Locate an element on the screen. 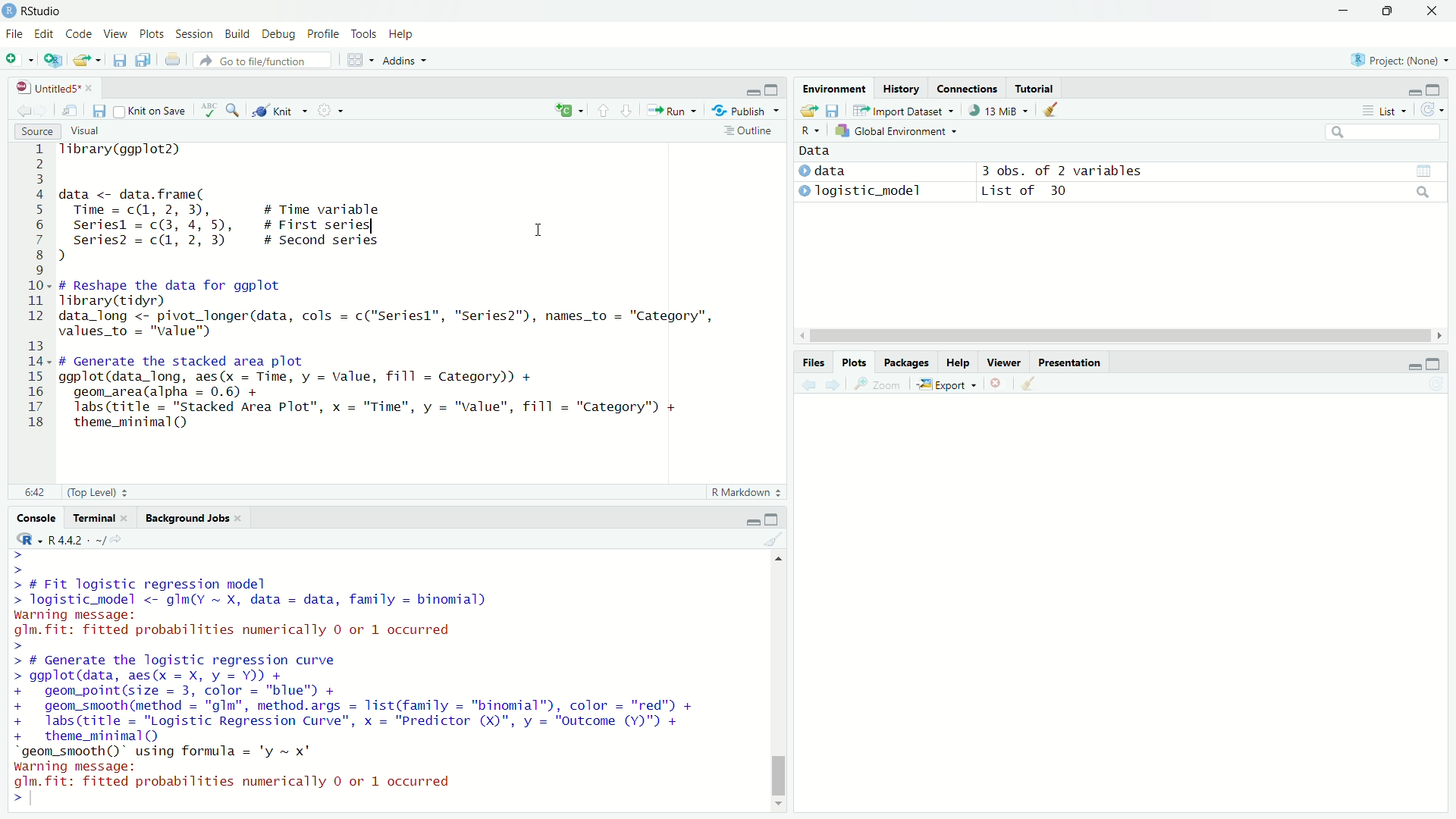 Image resolution: width=1456 pixels, height=819 pixels. back is located at coordinates (25, 108).